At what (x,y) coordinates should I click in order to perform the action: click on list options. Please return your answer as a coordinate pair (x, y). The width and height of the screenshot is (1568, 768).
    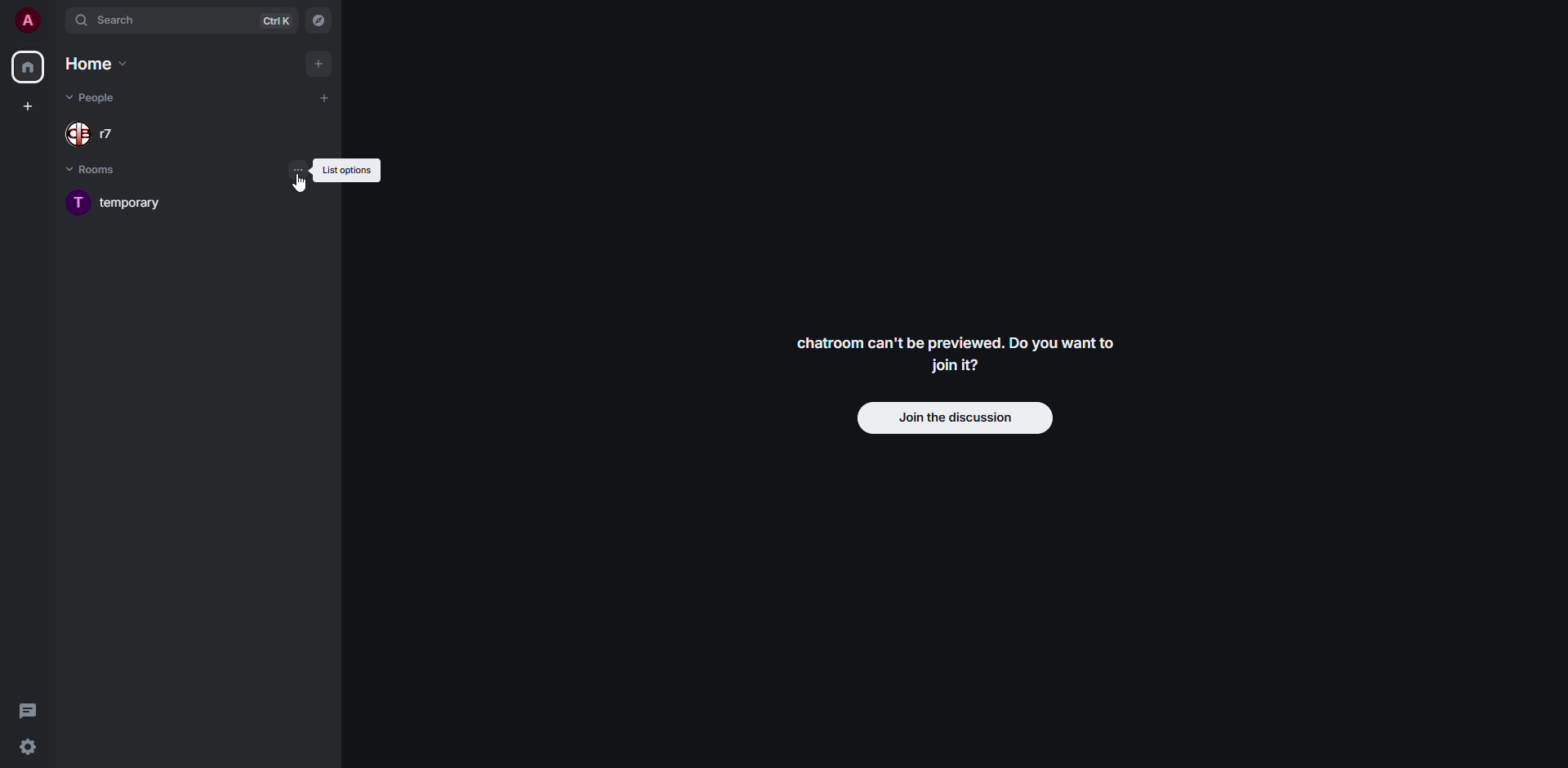
    Looking at the image, I should click on (346, 171).